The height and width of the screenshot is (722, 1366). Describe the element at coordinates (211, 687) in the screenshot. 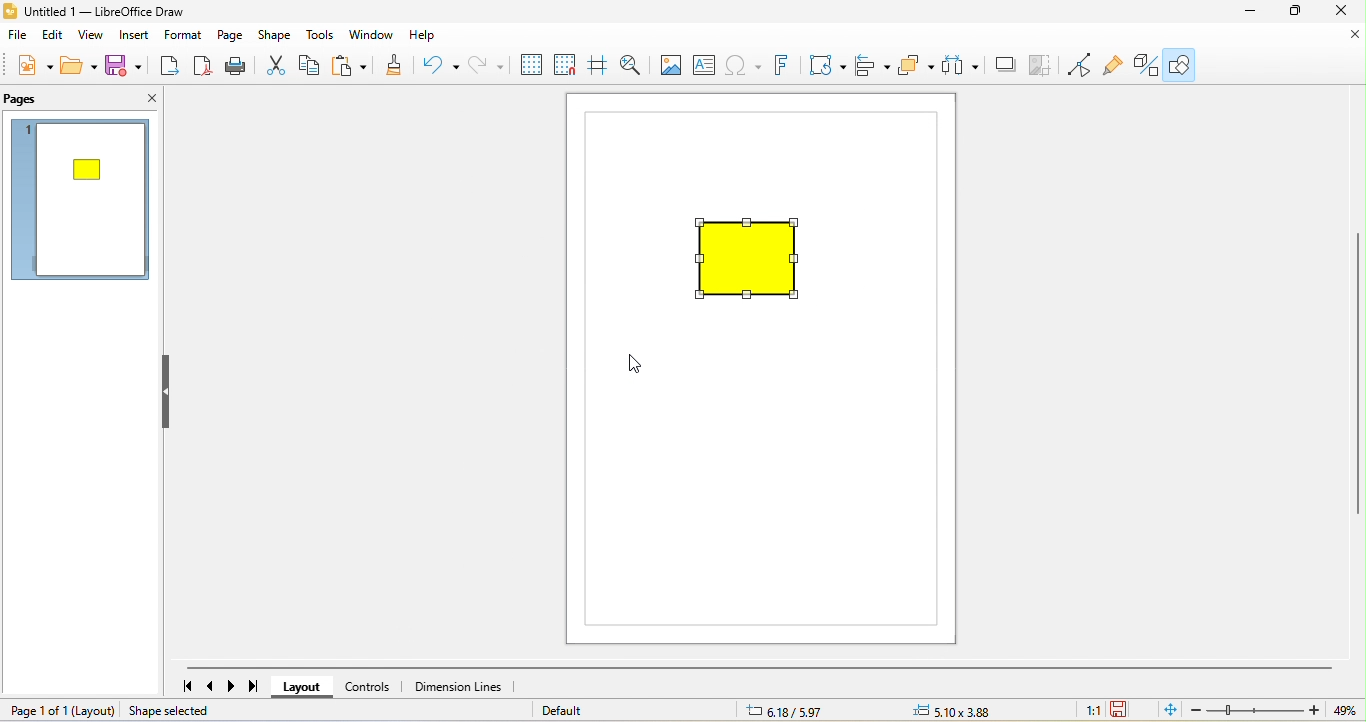

I see `previous page` at that location.